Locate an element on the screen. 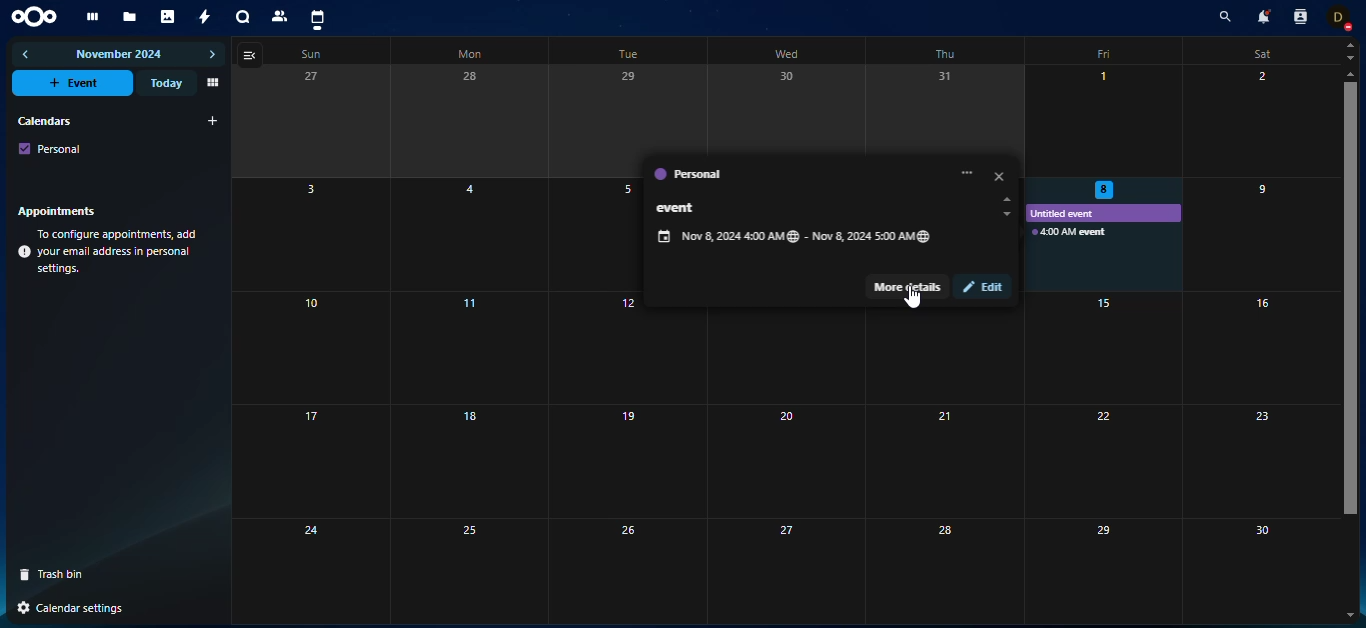 The width and height of the screenshot is (1366, 628). date range is located at coordinates (804, 236).